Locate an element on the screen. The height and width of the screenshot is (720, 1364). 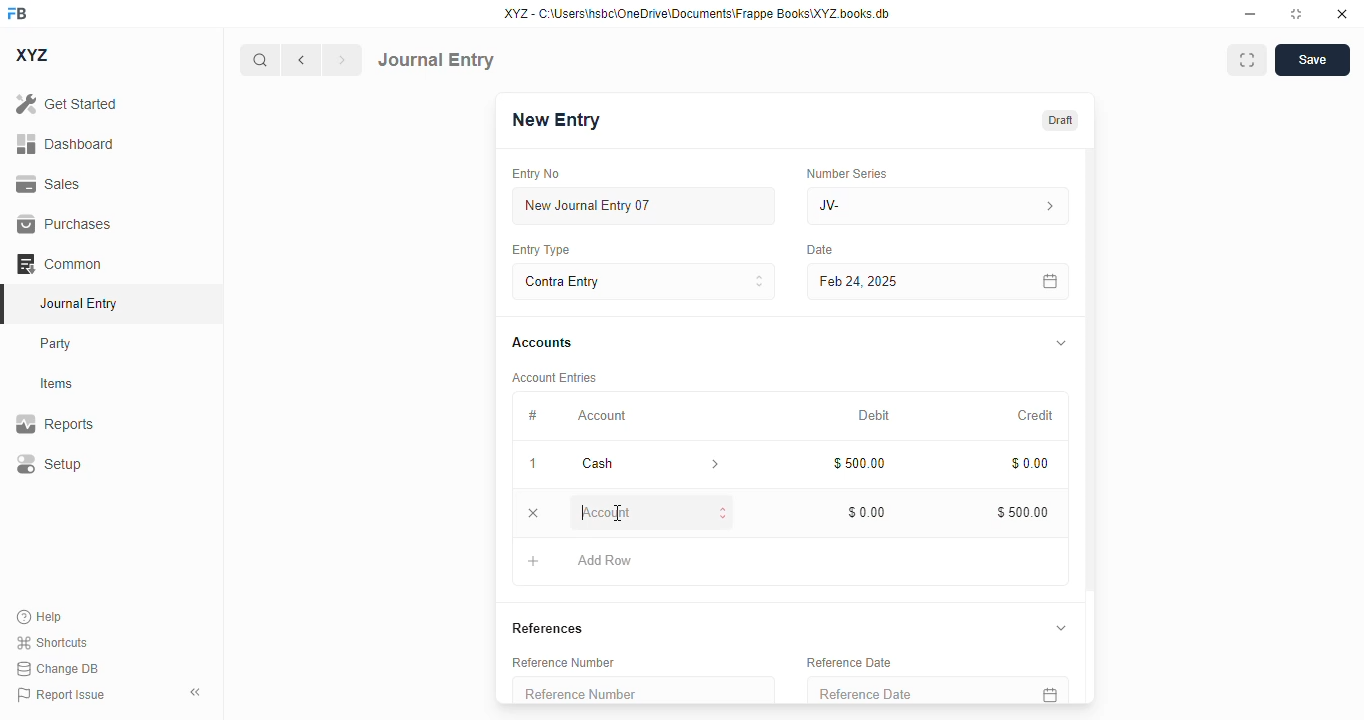
close is located at coordinates (1342, 14).